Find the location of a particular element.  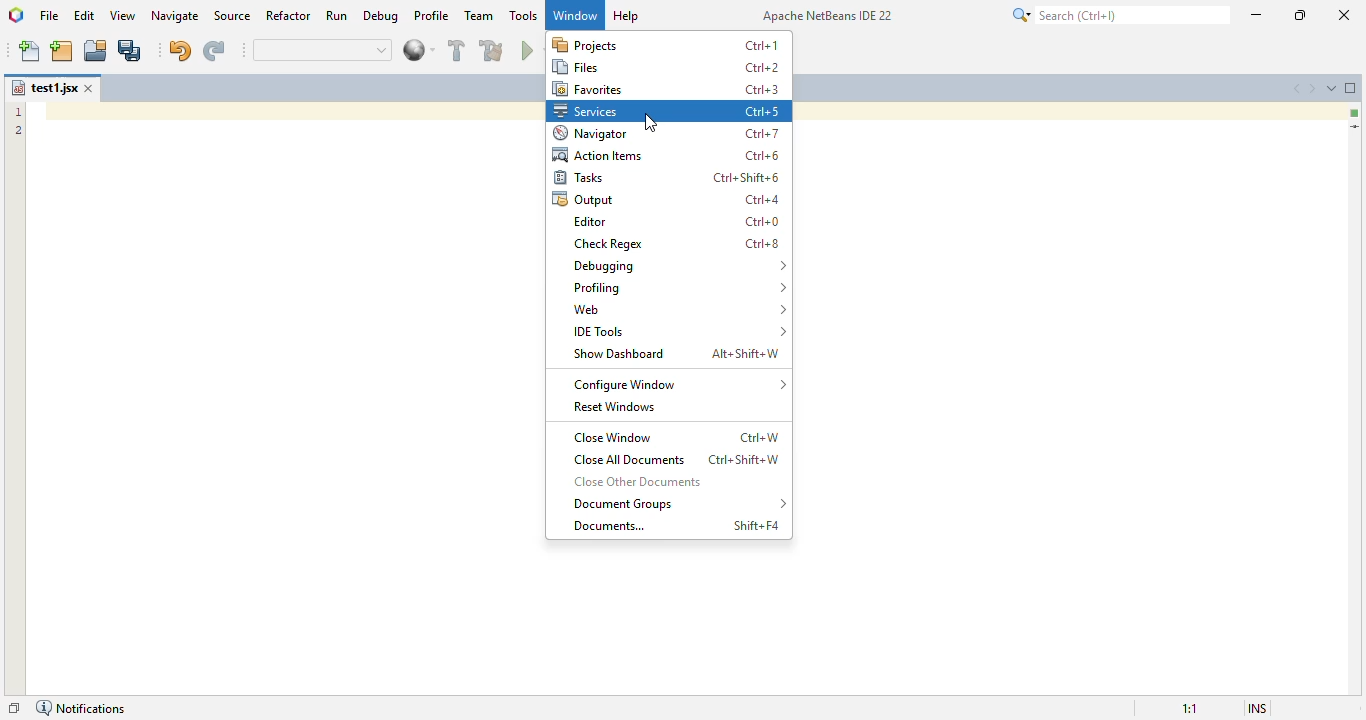

shortcut for files is located at coordinates (762, 68).